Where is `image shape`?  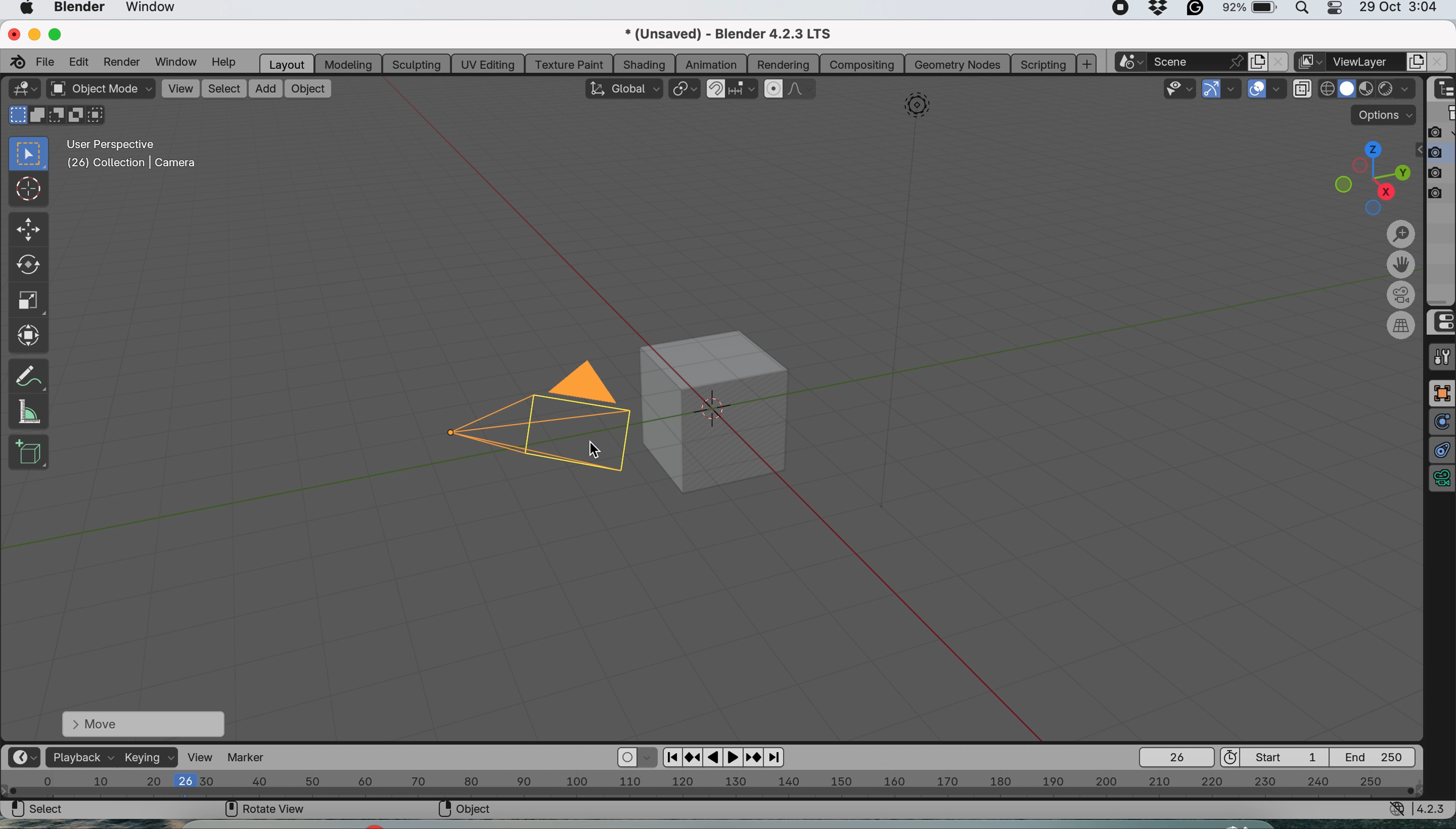 image shape is located at coordinates (917, 108).